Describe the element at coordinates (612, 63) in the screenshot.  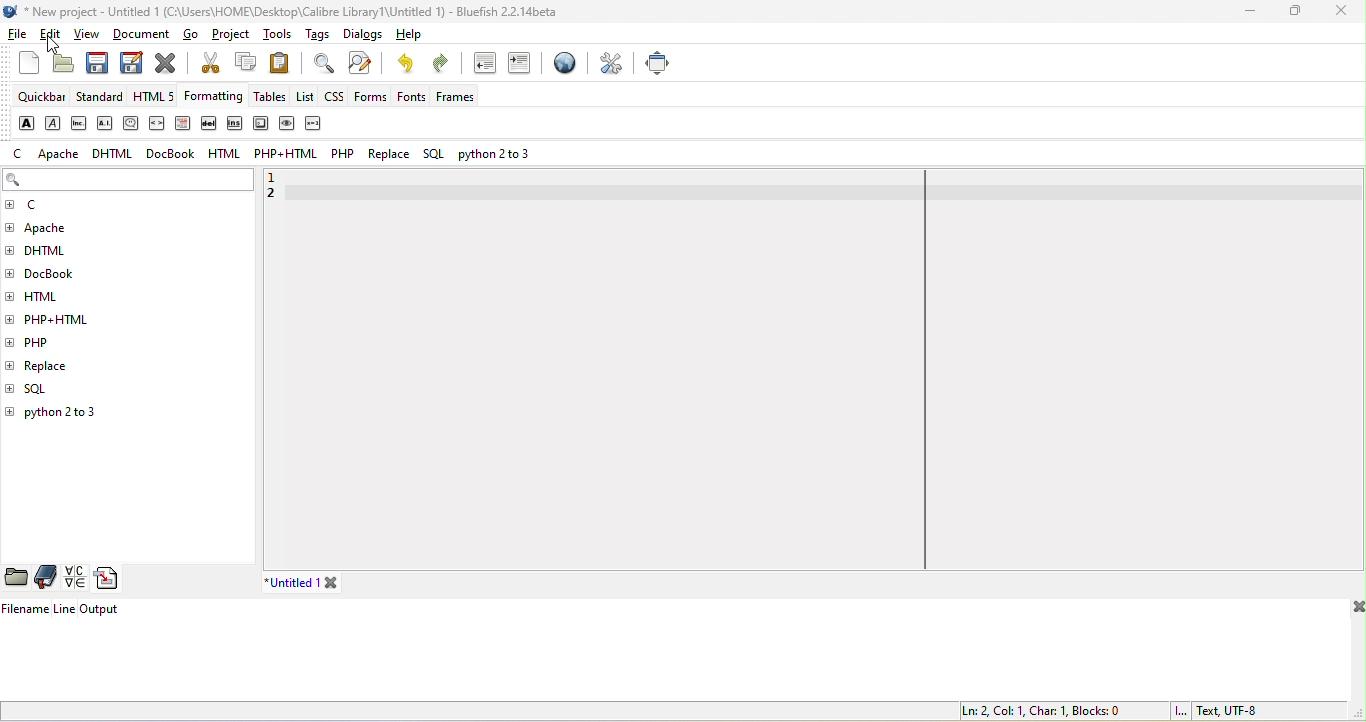
I see `preferences` at that location.